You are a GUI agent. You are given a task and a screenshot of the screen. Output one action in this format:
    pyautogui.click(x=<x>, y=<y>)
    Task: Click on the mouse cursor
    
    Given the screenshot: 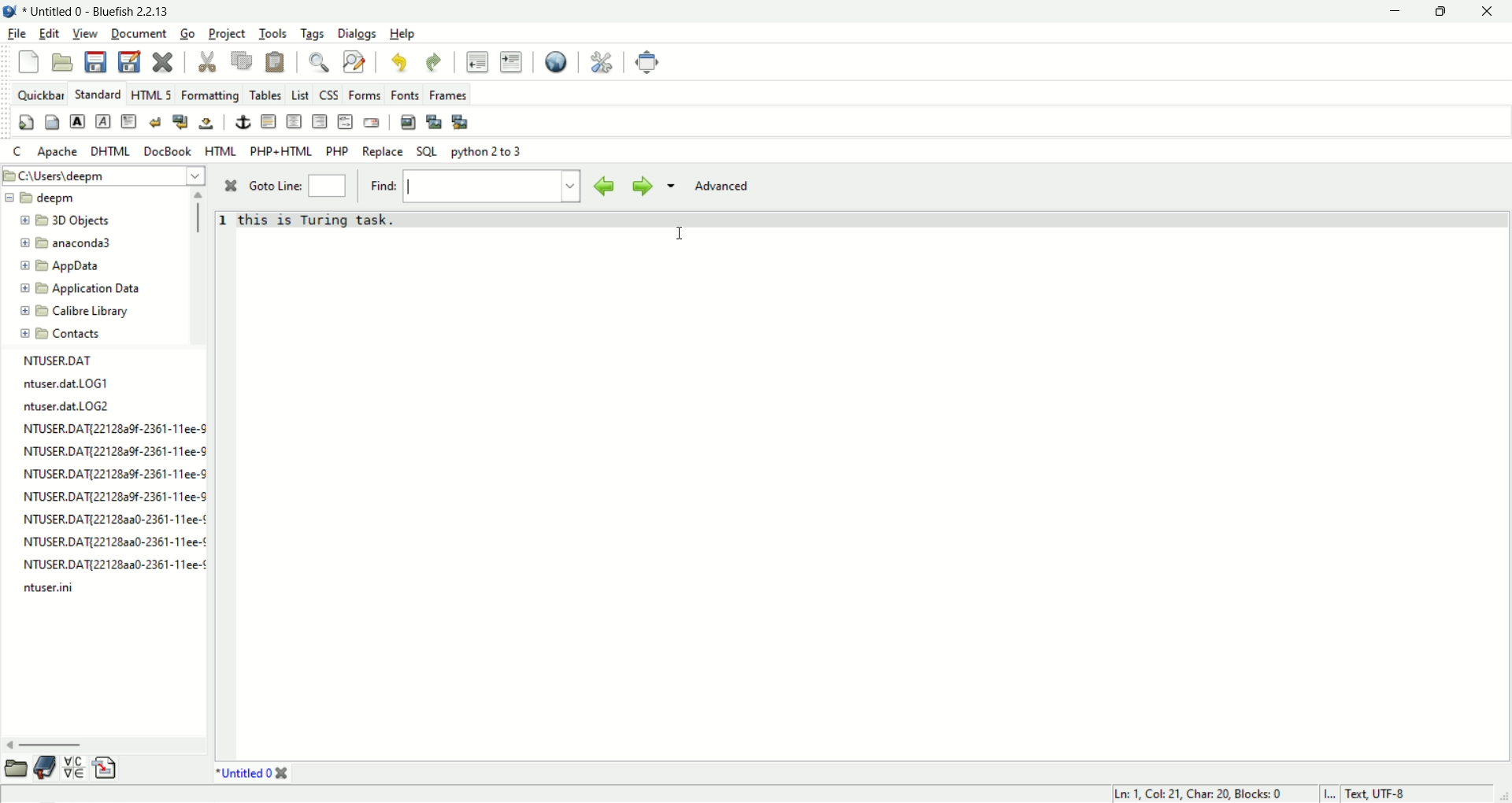 What is the action you would take?
    pyautogui.click(x=683, y=235)
    